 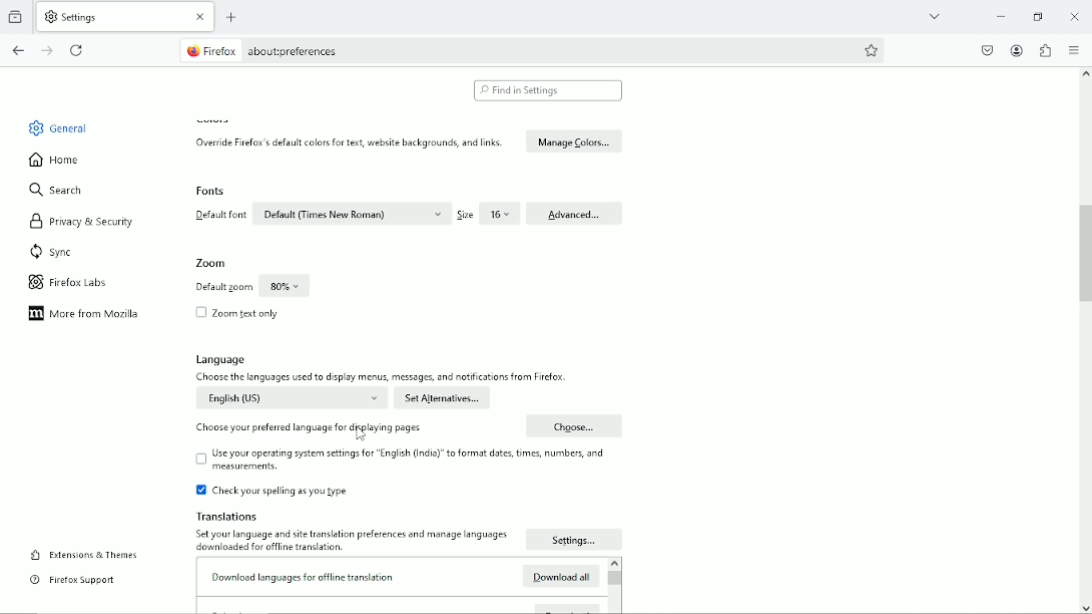 I want to click on account, so click(x=1017, y=50).